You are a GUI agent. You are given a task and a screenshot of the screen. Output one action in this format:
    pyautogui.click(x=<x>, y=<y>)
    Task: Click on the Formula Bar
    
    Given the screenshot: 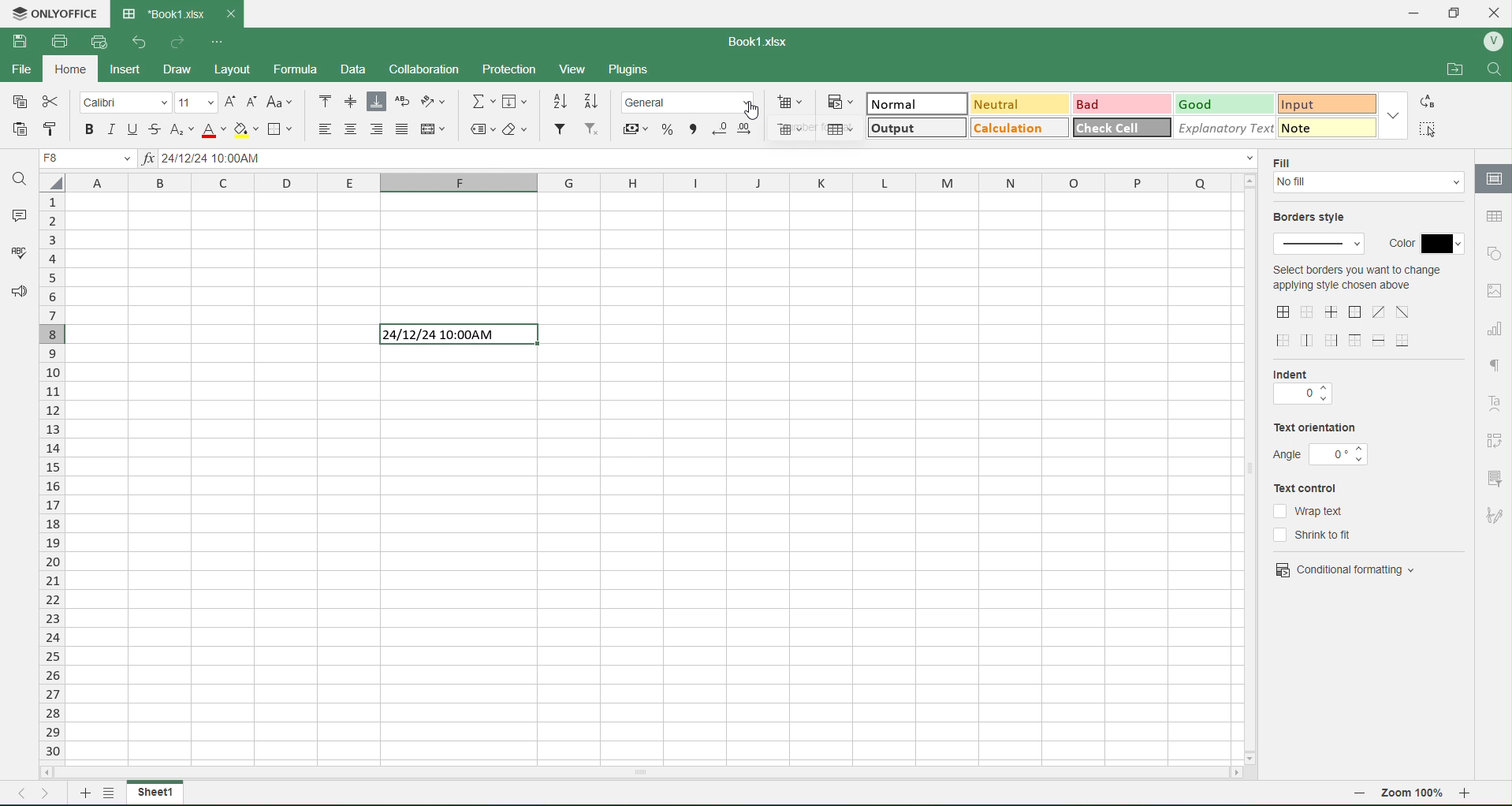 What is the action you would take?
    pyautogui.click(x=701, y=160)
    